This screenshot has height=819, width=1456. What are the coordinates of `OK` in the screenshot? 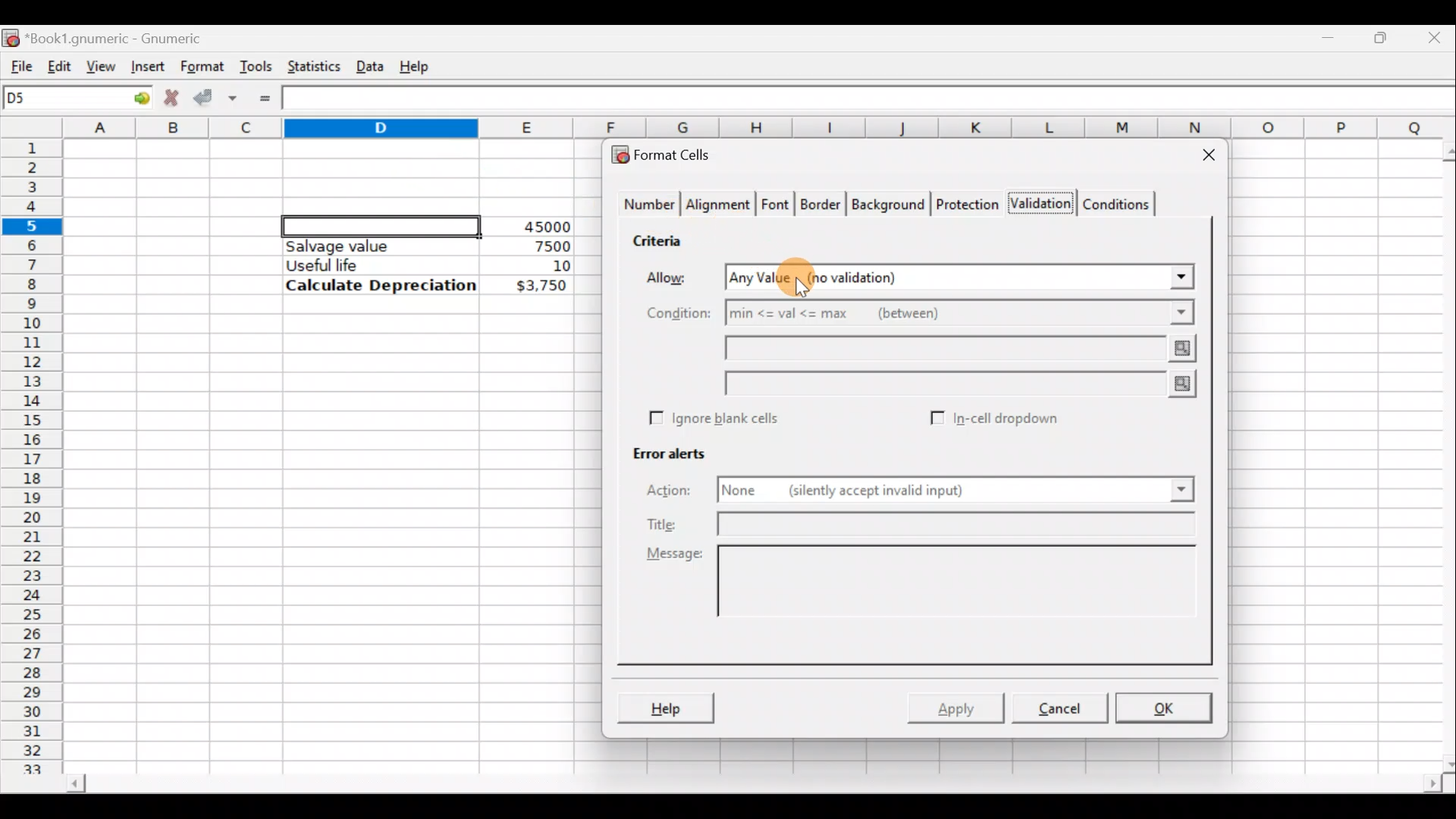 It's located at (1166, 708).